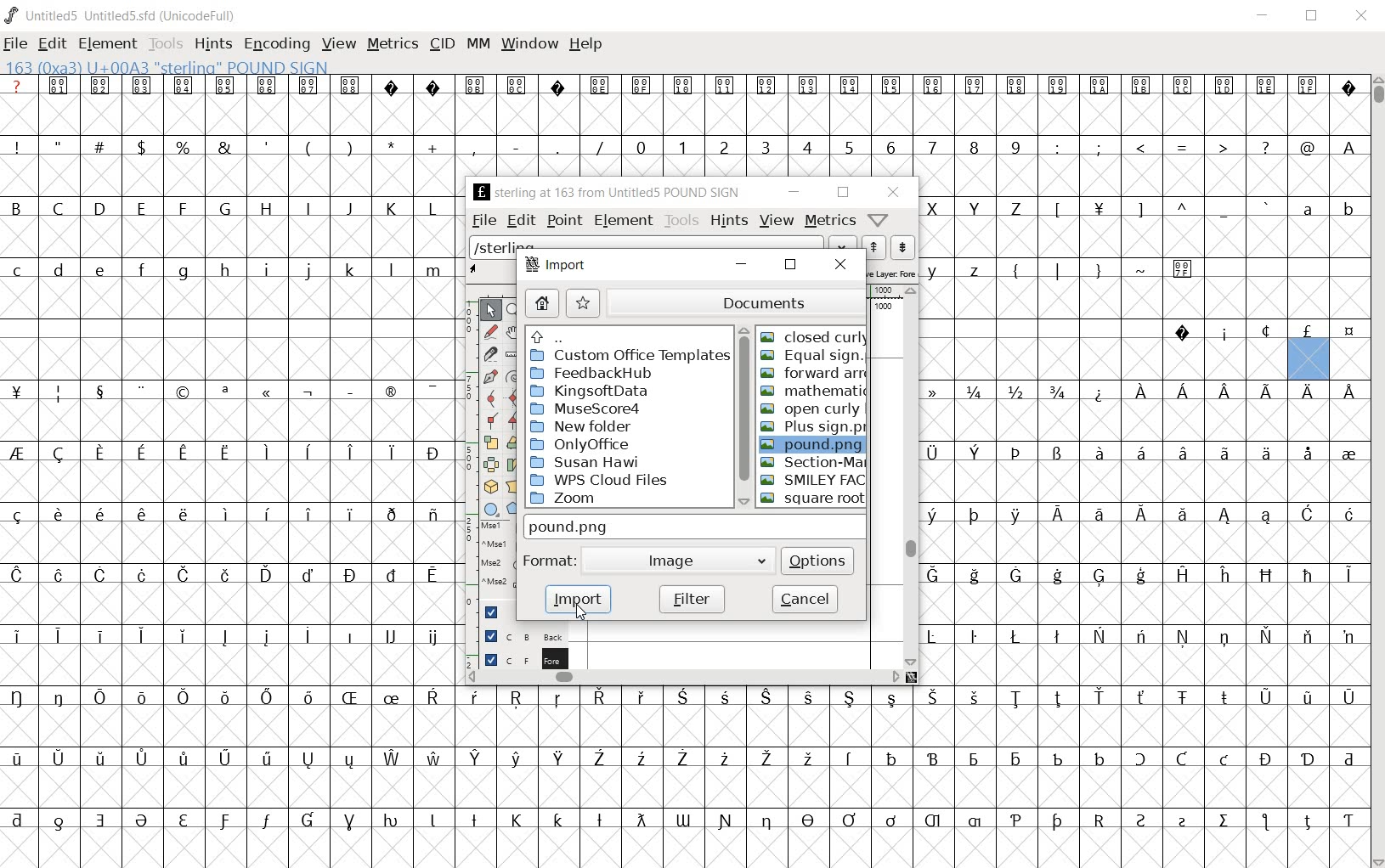 Image resolution: width=1385 pixels, height=868 pixels. Describe the element at coordinates (812, 356) in the screenshot. I see `Equal sign.` at that location.